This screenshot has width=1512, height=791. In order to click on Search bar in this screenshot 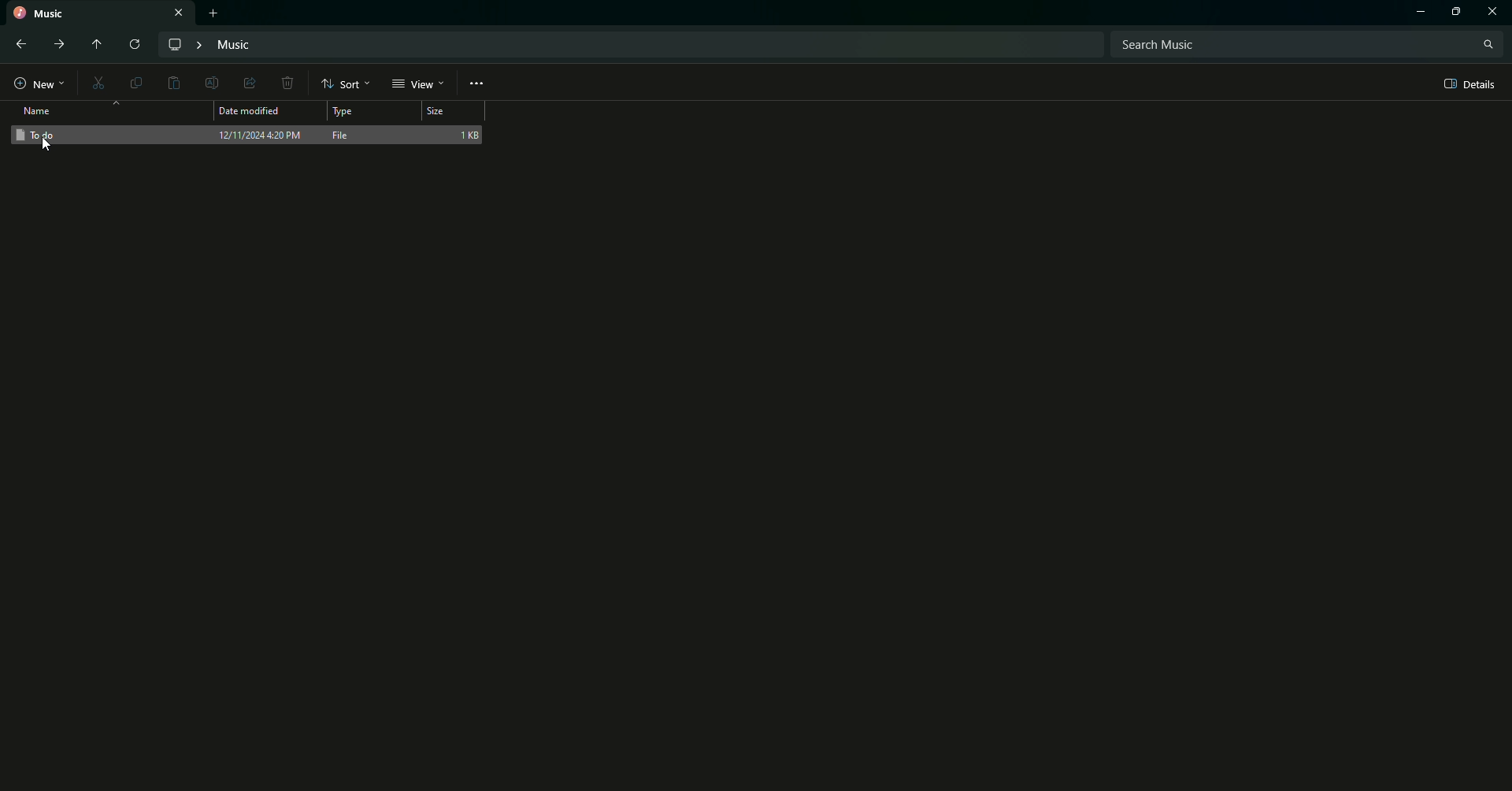, I will do `click(1305, 44)`.